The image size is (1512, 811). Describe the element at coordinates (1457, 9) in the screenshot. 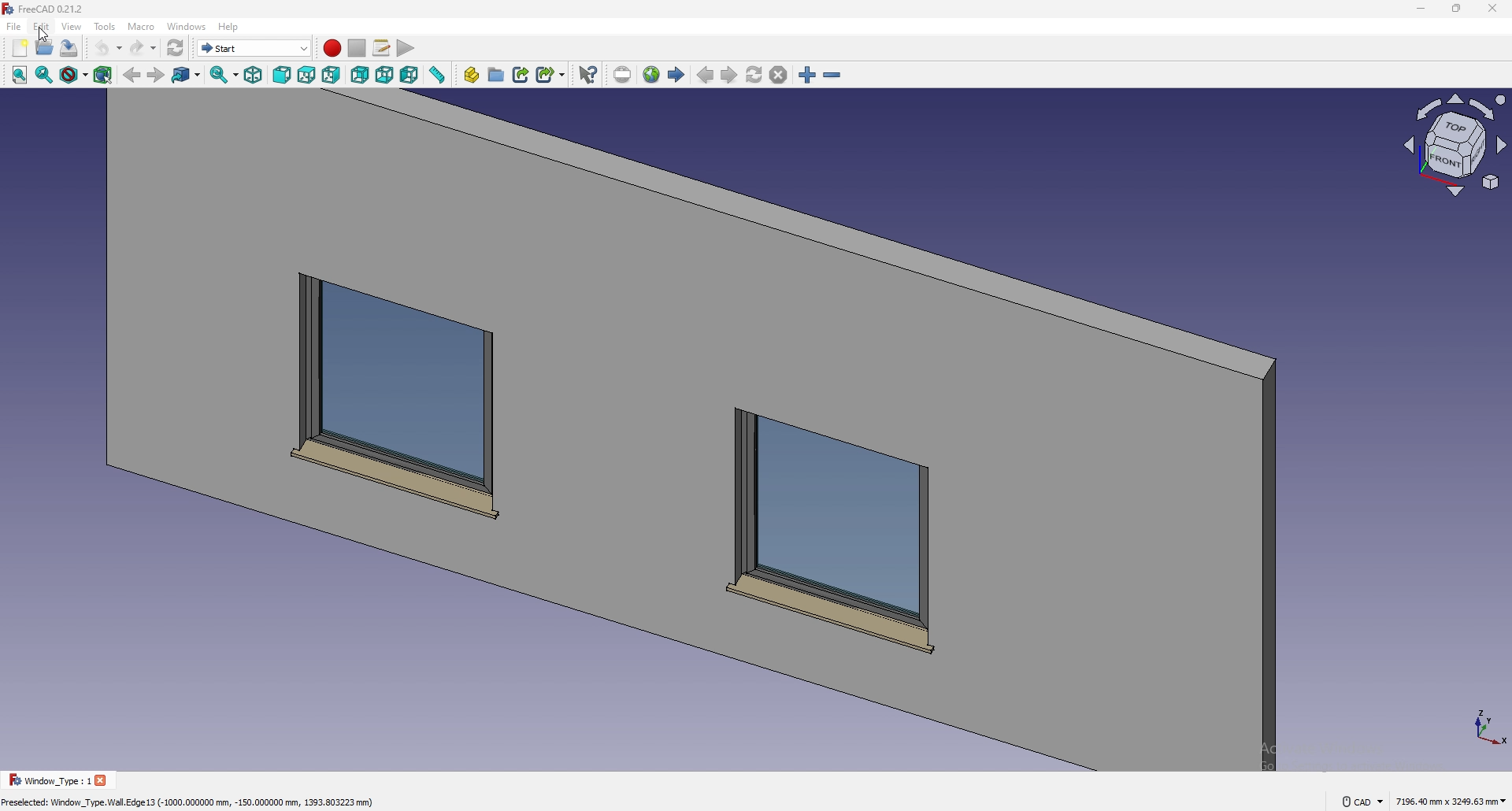

I see `resize` at that location.